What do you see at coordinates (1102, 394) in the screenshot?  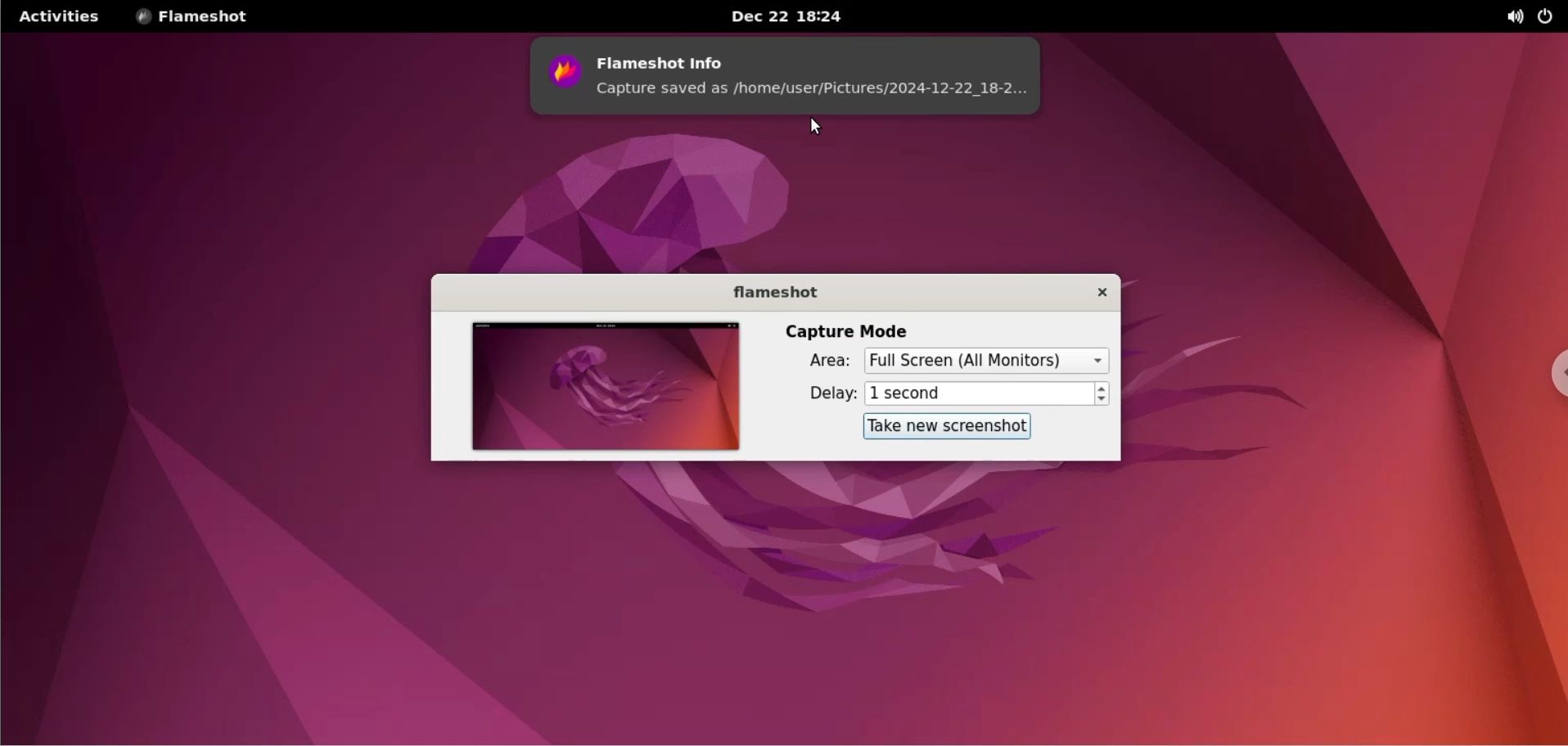 I see `increment or decrement delay` at bounding box center [1102, 394].